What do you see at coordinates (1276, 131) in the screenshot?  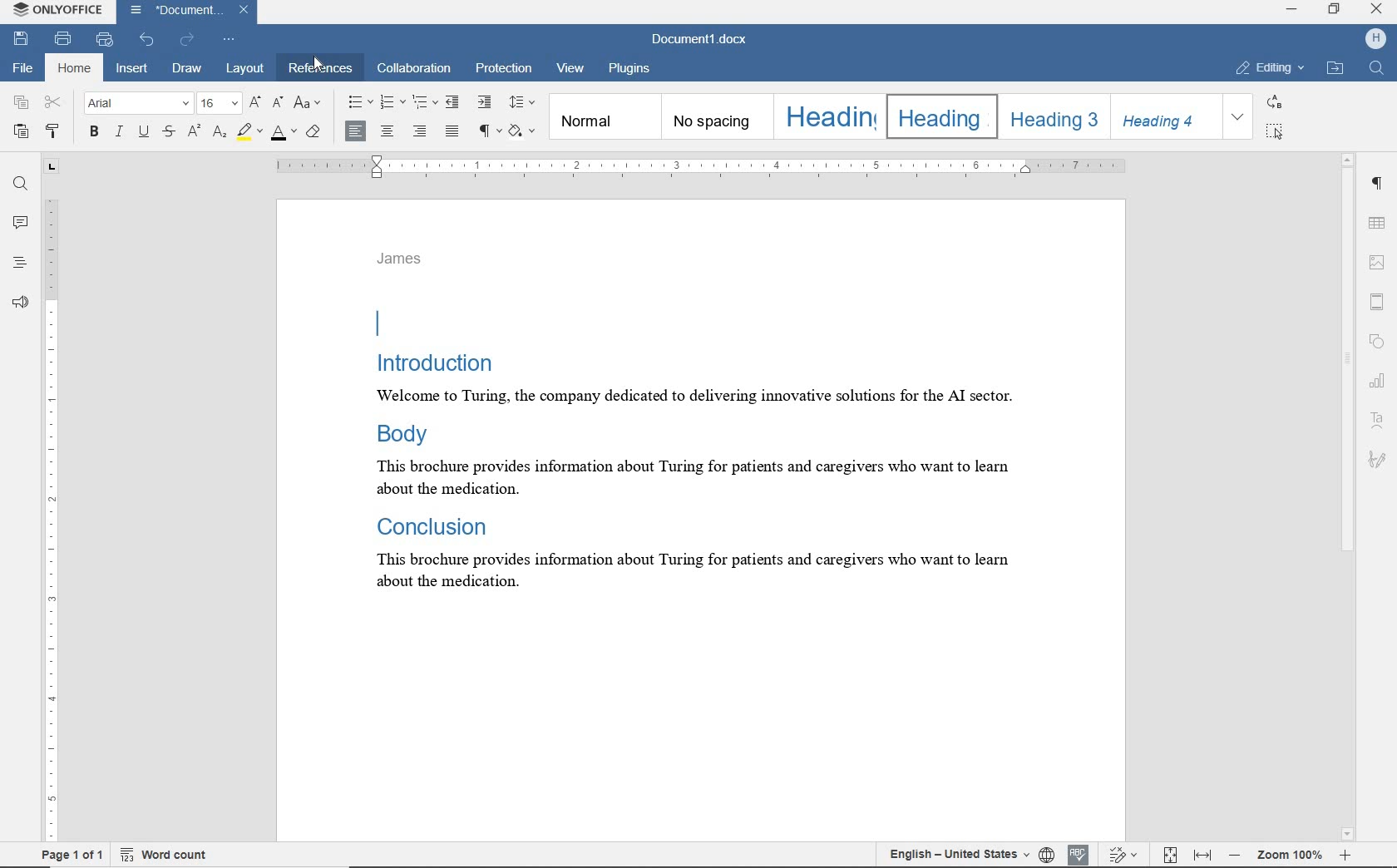 I see `SELECT ALL` at bounding box center [1276, 131].